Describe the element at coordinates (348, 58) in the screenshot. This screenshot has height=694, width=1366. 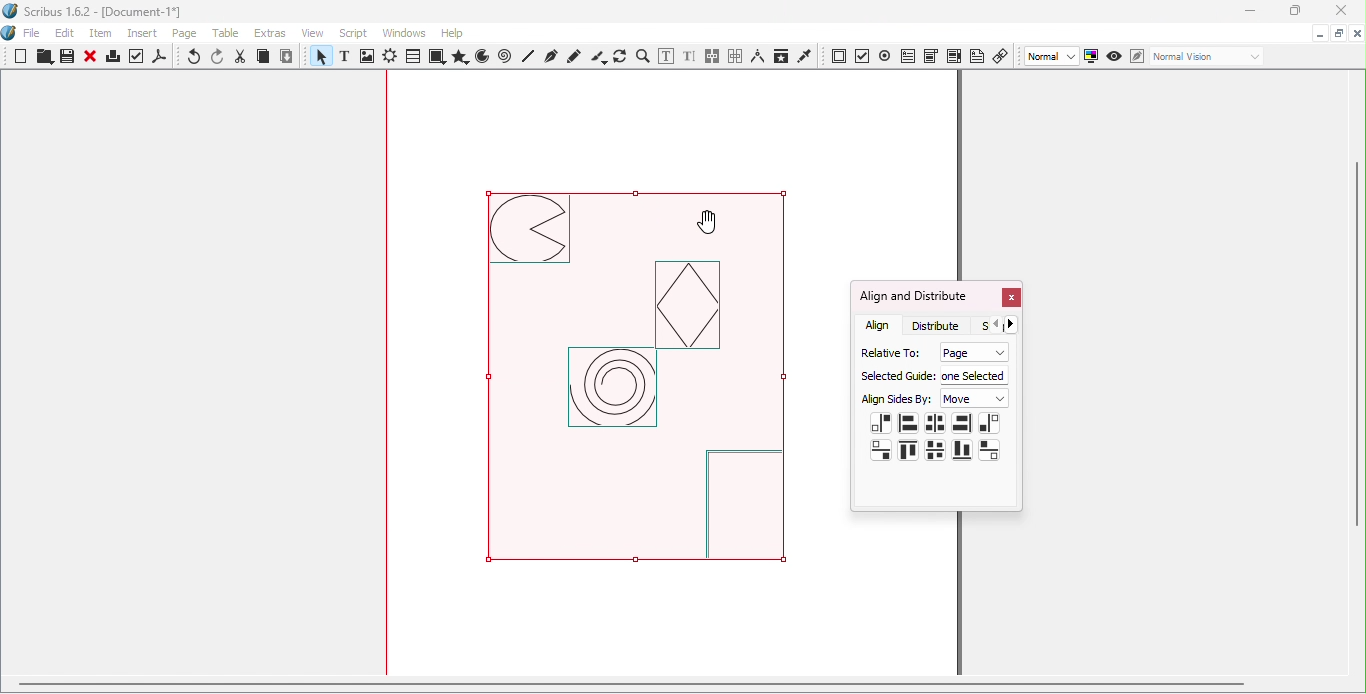
I see `Text frame` at that location.